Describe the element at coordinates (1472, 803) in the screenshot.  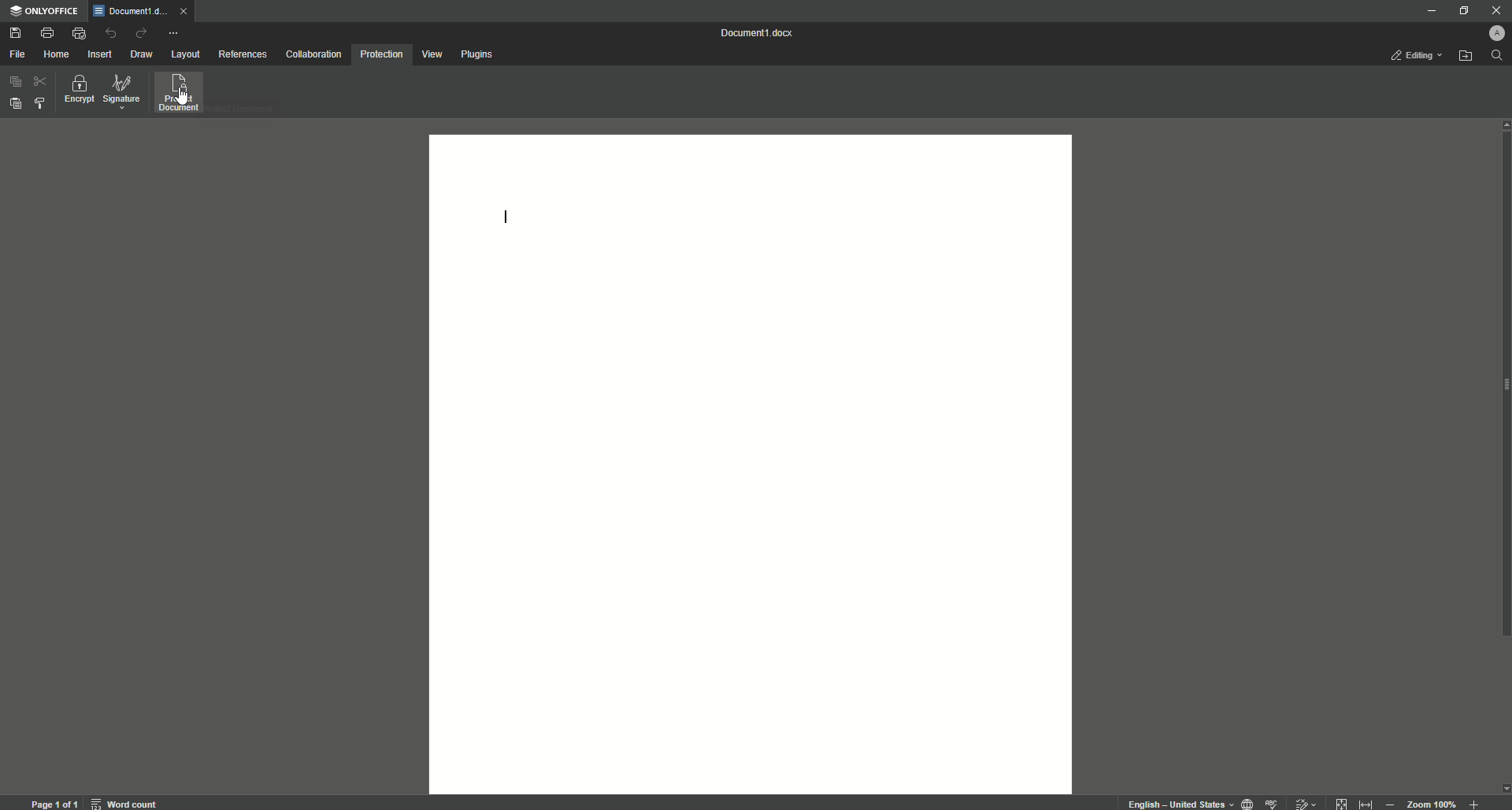
I see `Zoom in` at that location.